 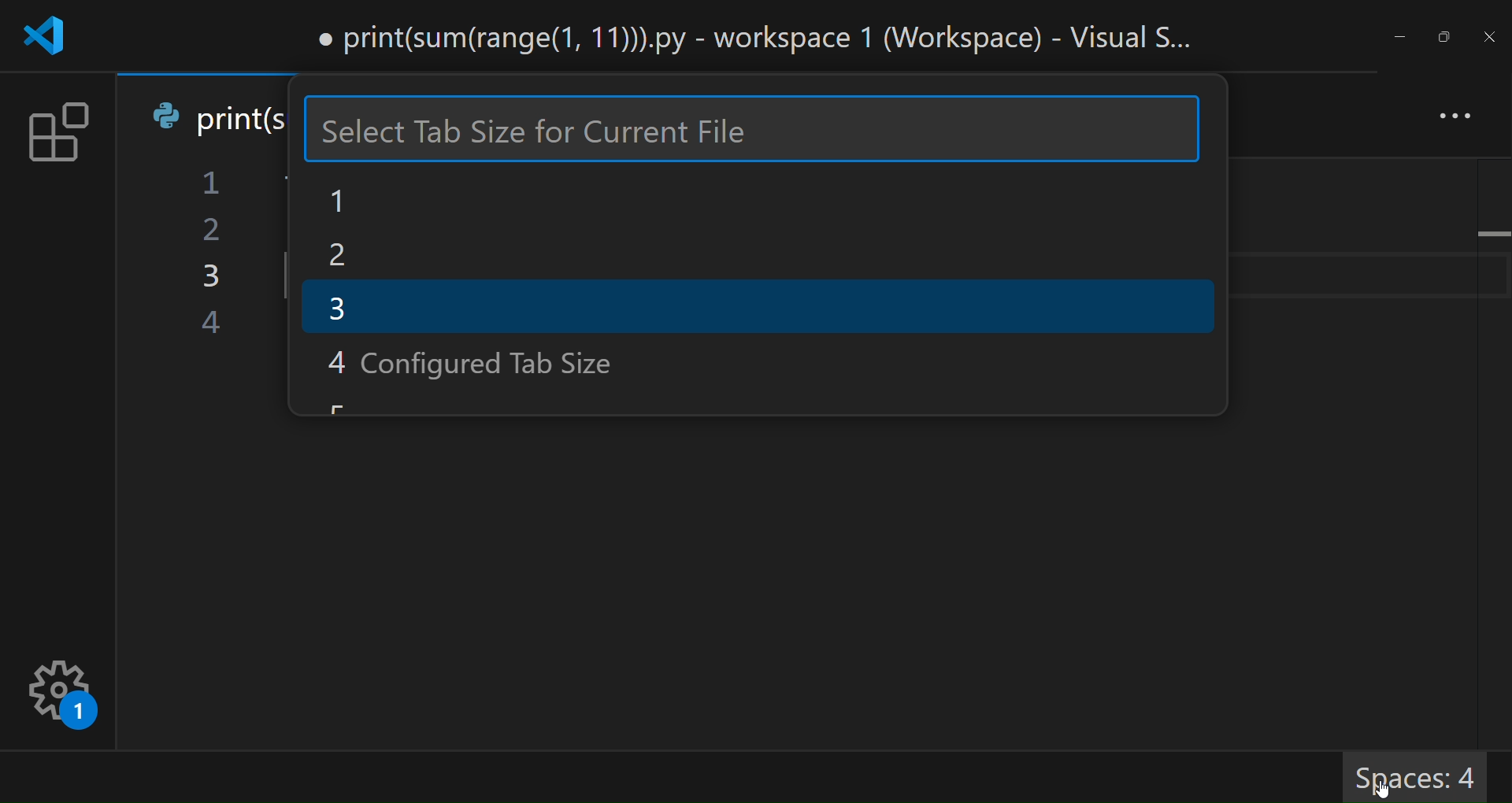 What do you see at coordinates (61, 697) in the screenshot?
I see `settings` at bounding box center [61, 697].